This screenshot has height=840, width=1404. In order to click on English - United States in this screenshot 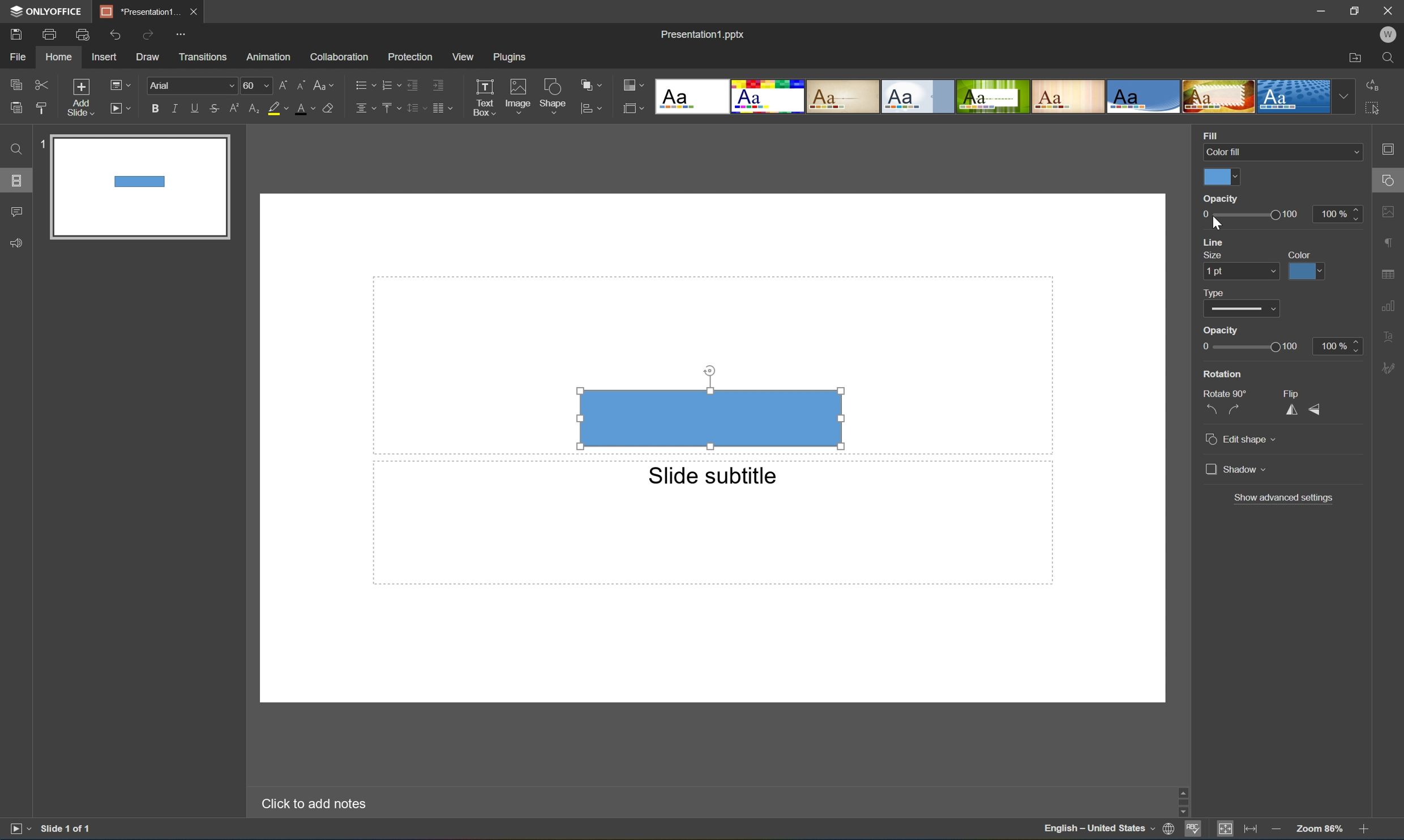, I will do `click(1099, 831)`.